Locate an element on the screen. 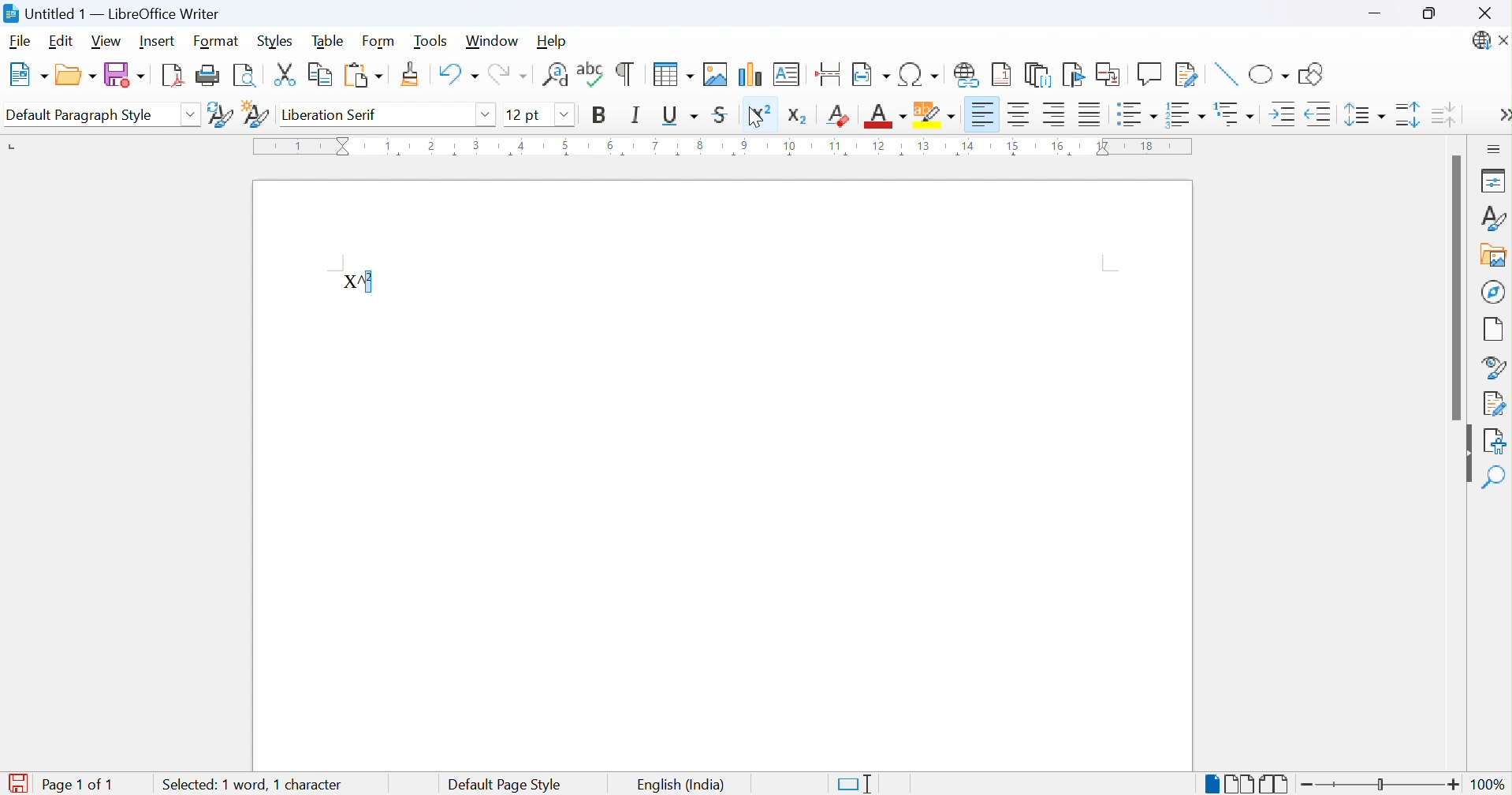 This screenshot has height=795, width=1512. Cut is located at coordinates (285, 73).